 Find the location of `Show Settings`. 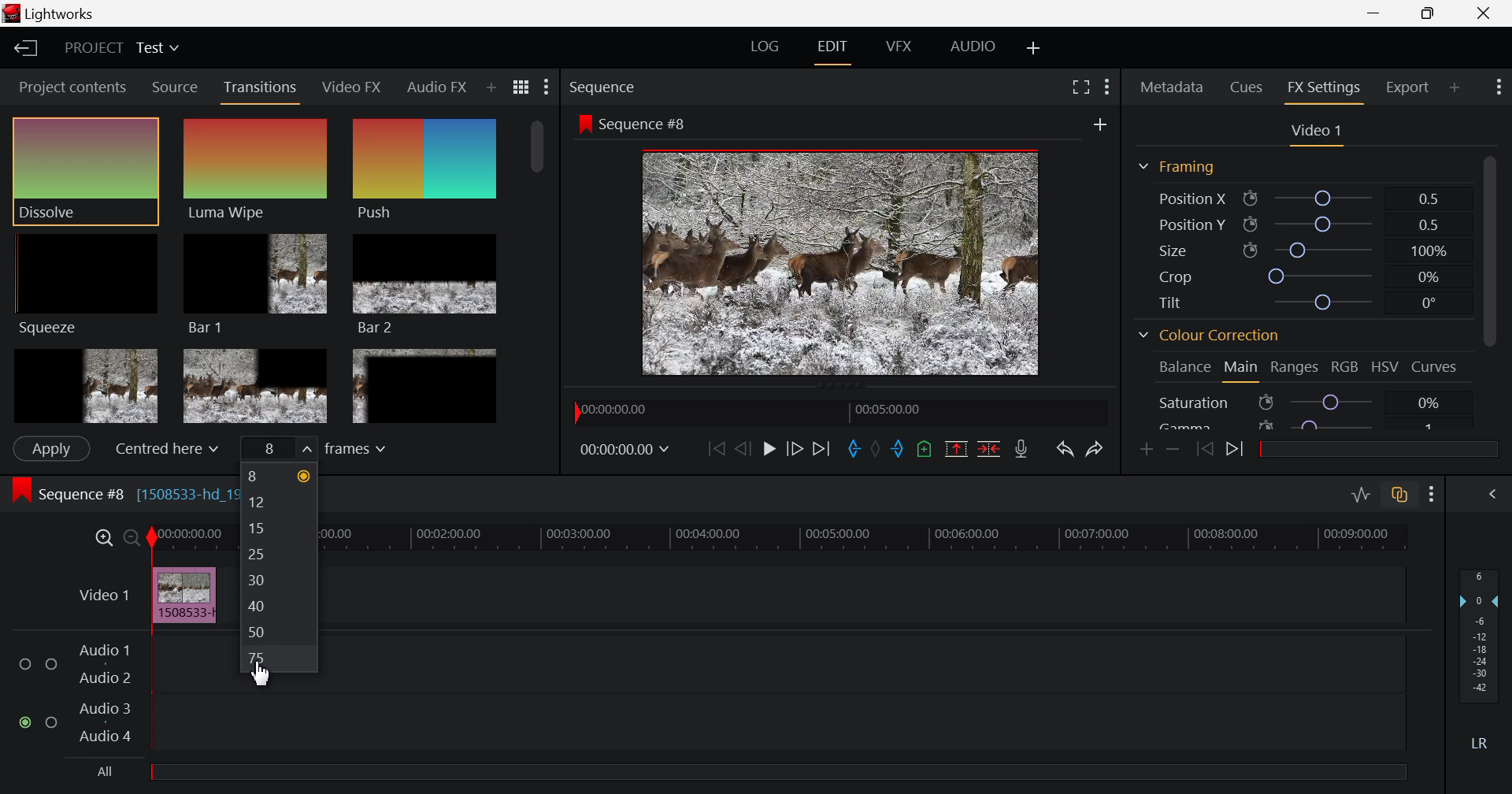

Show Settings is located at coordinates (1498, 87).